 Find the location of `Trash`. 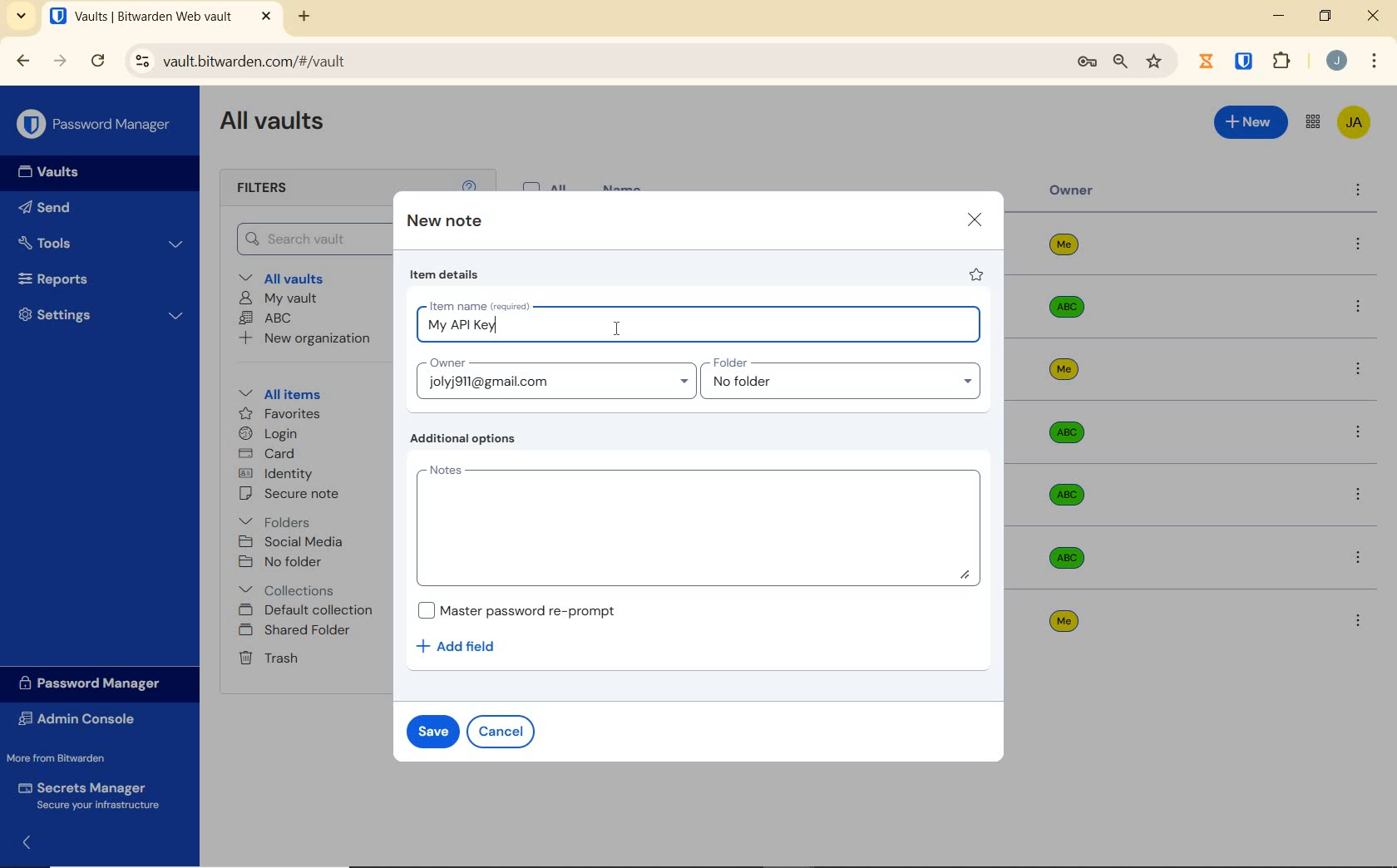

Trash is located at coordinates (271, 659).